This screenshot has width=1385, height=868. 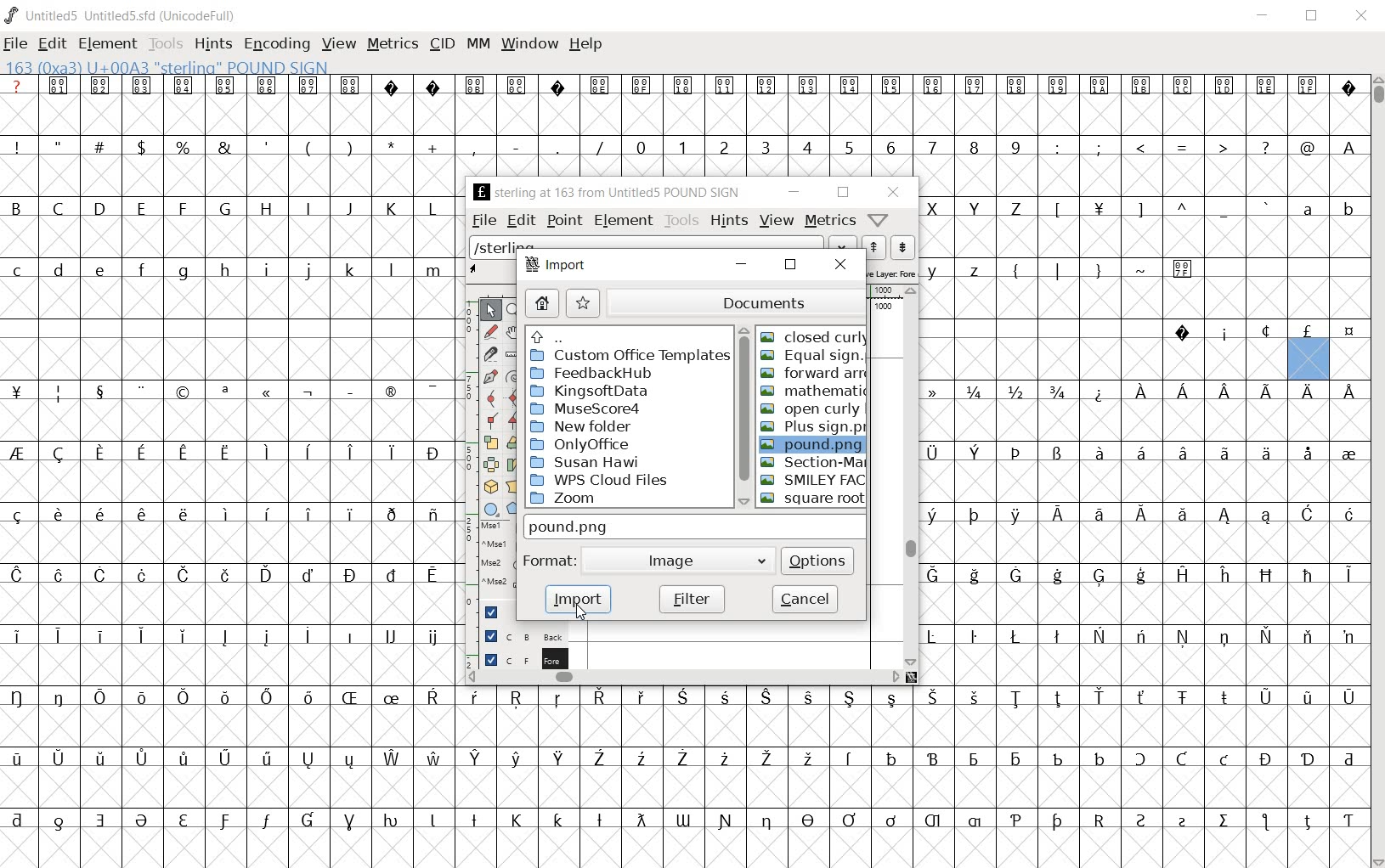 I want to click on Symbol, so click(x=1308, y=637).